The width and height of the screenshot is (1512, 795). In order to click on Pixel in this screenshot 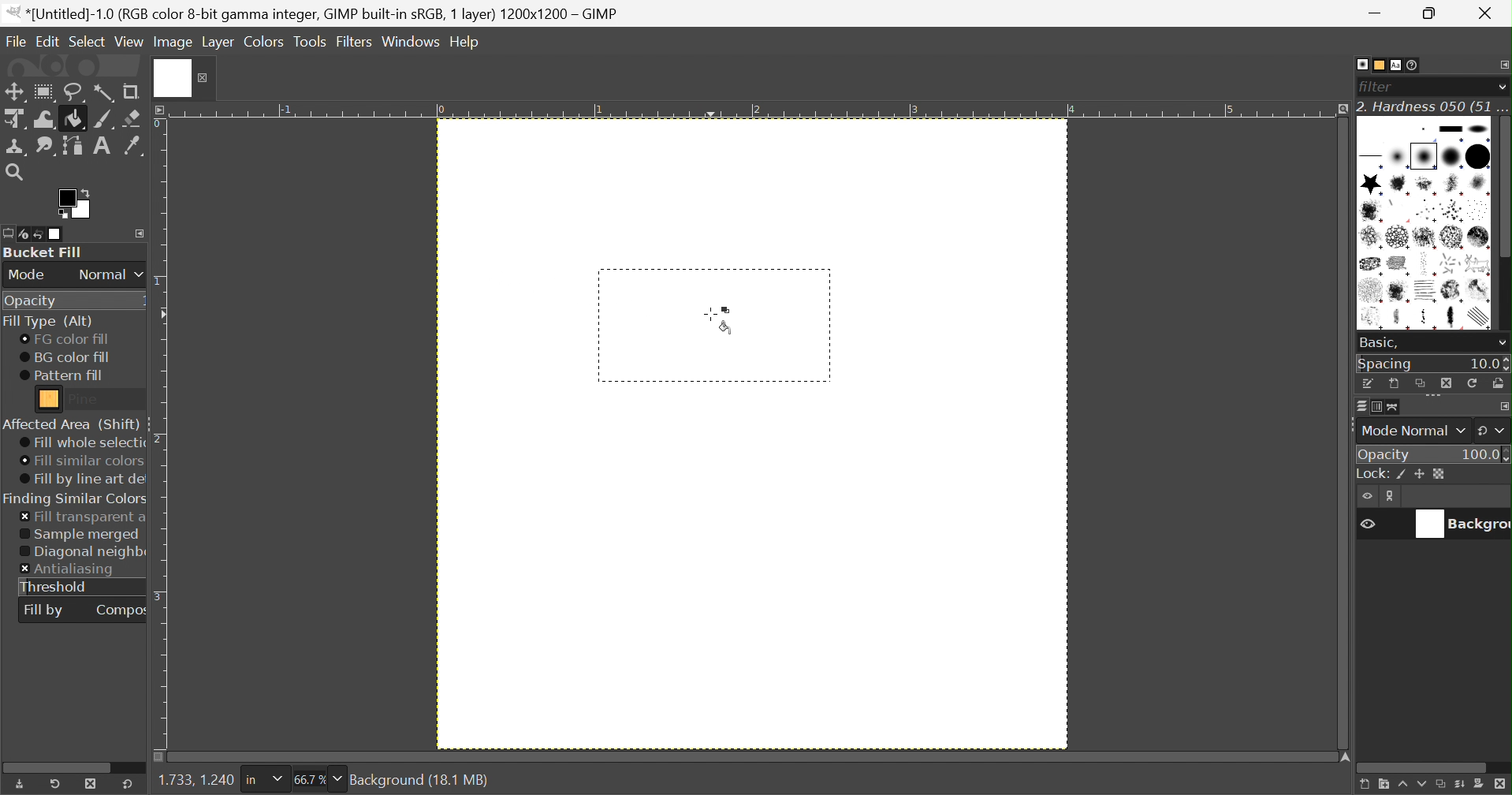, I will do `click(1424, 129)`.